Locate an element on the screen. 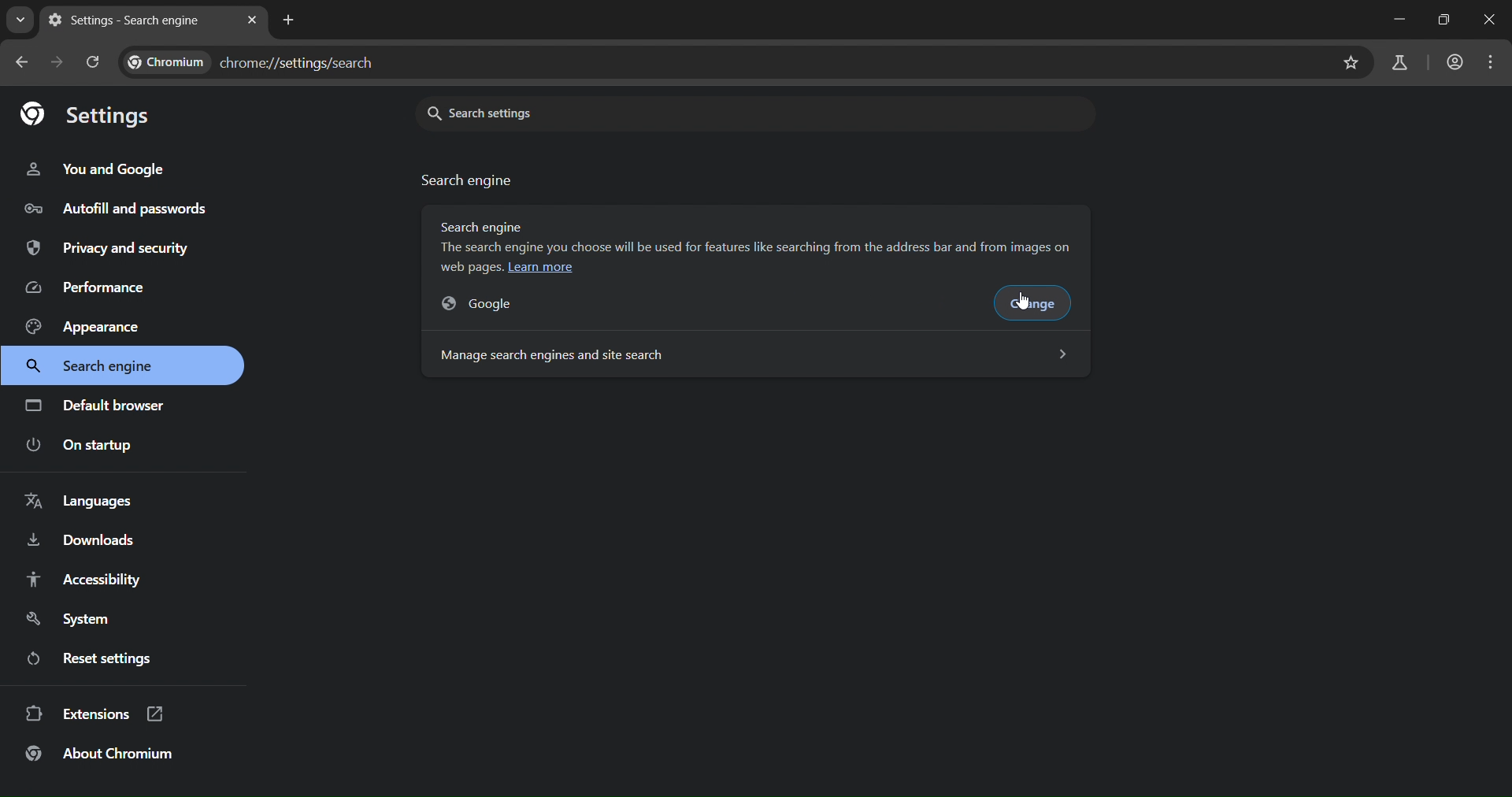  close tab is located at coordinates (254, 17).